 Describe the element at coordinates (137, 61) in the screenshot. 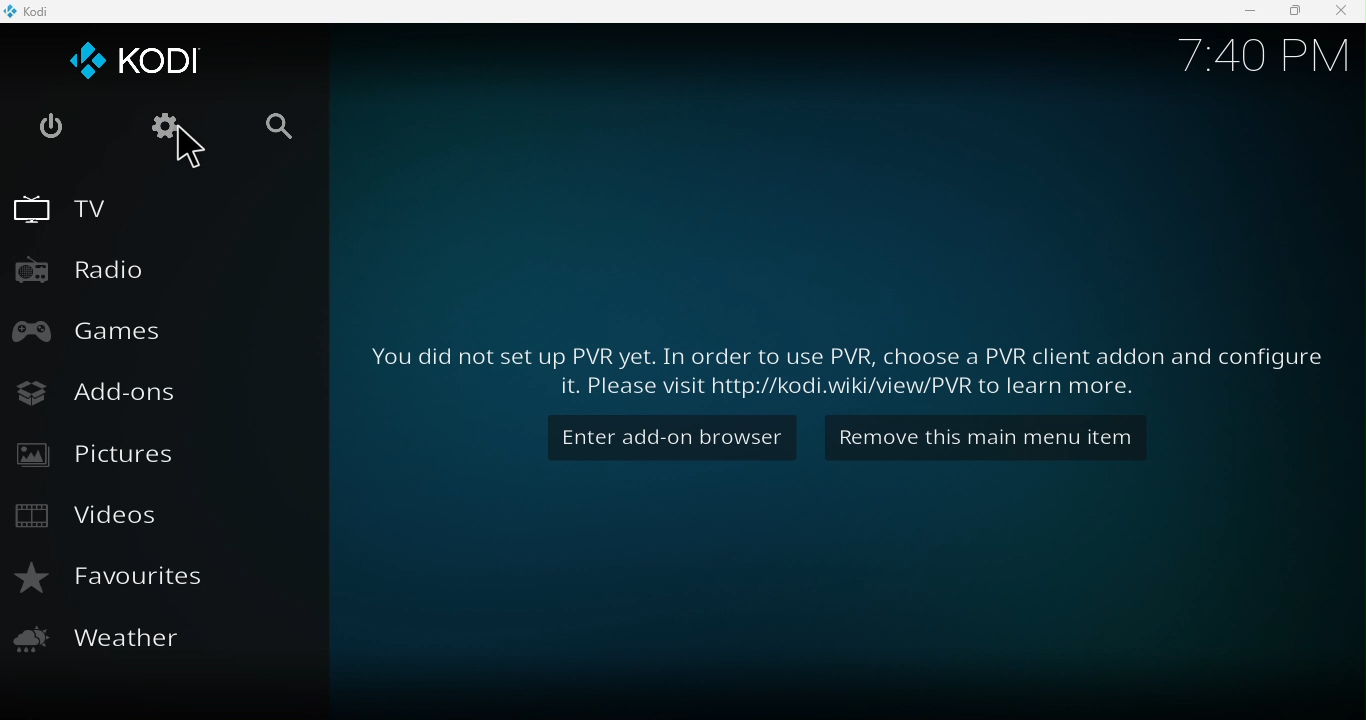

I see `Kodi icon` at that location.